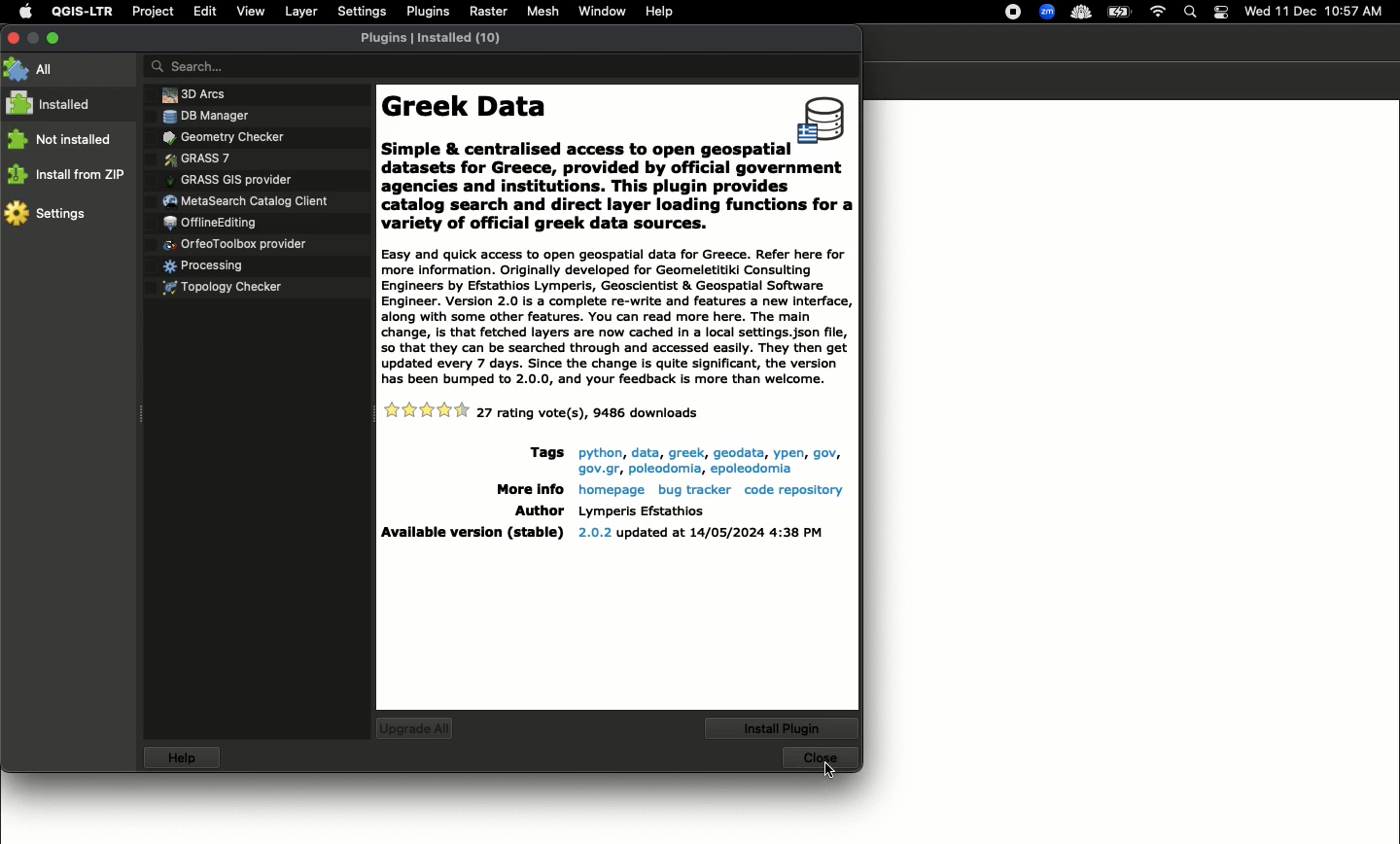 The height and width of the screenshot is (844, 1400). I want to click on Plugins installed , so click(433, 38).